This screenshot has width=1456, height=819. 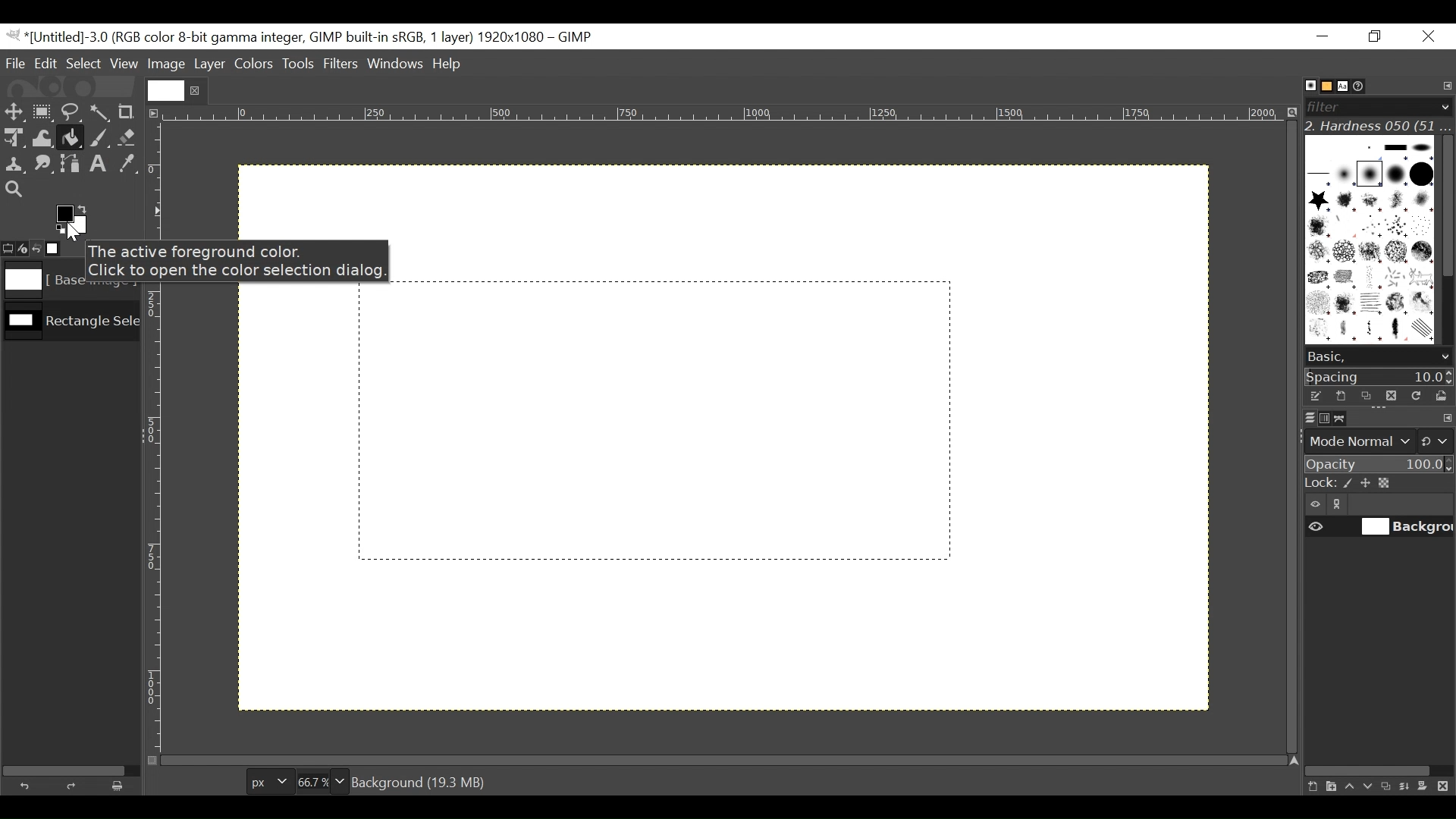 What do you see at coordinates (1344, 419) in the screenshot?
I see `Paths` at bounding box center [1344, 419].